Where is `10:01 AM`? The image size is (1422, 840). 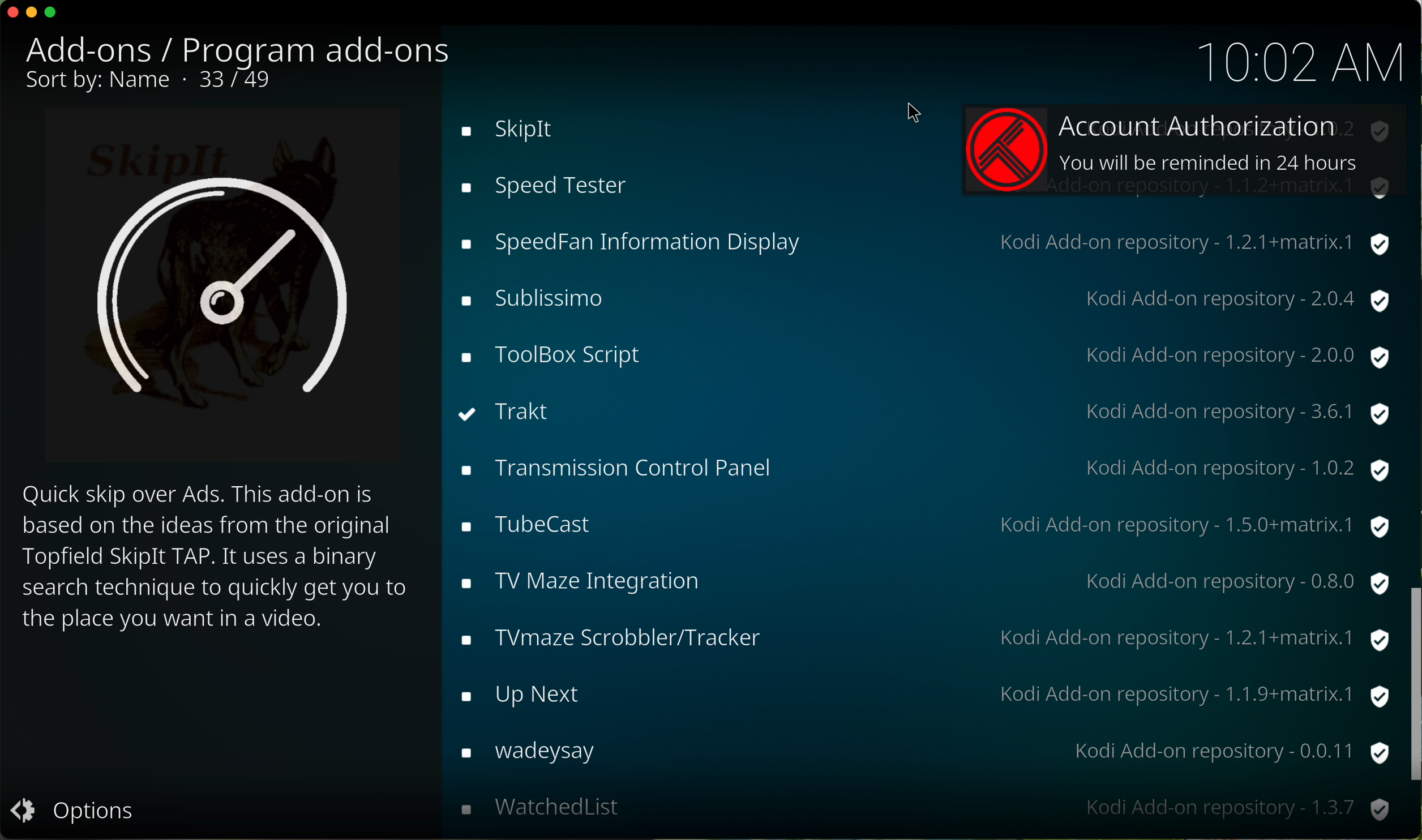 10:01 AM is located at coordinates (1299, 59).